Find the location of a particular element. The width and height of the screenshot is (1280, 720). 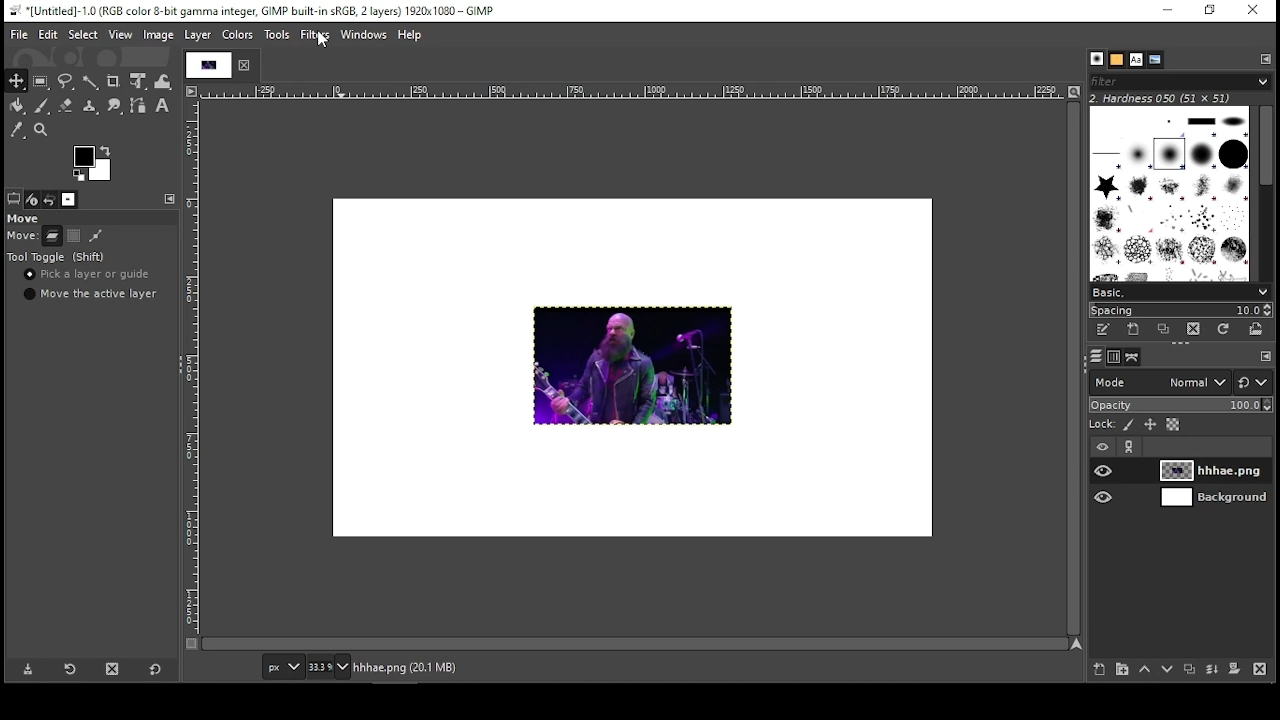

scroll bar is located at coordinates (1076, 368).